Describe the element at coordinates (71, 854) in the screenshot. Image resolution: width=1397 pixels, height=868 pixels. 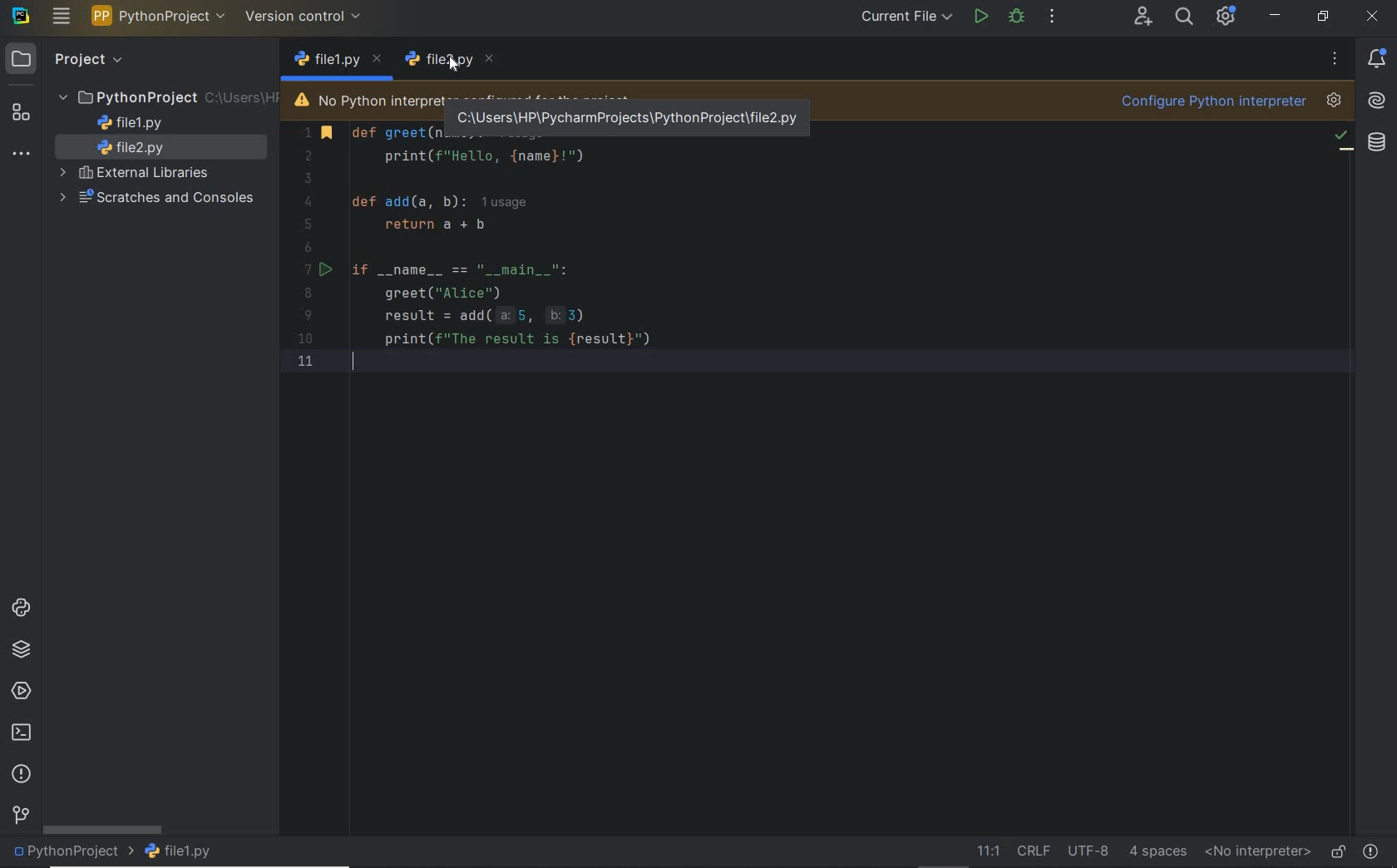
I see `project name` at that location.